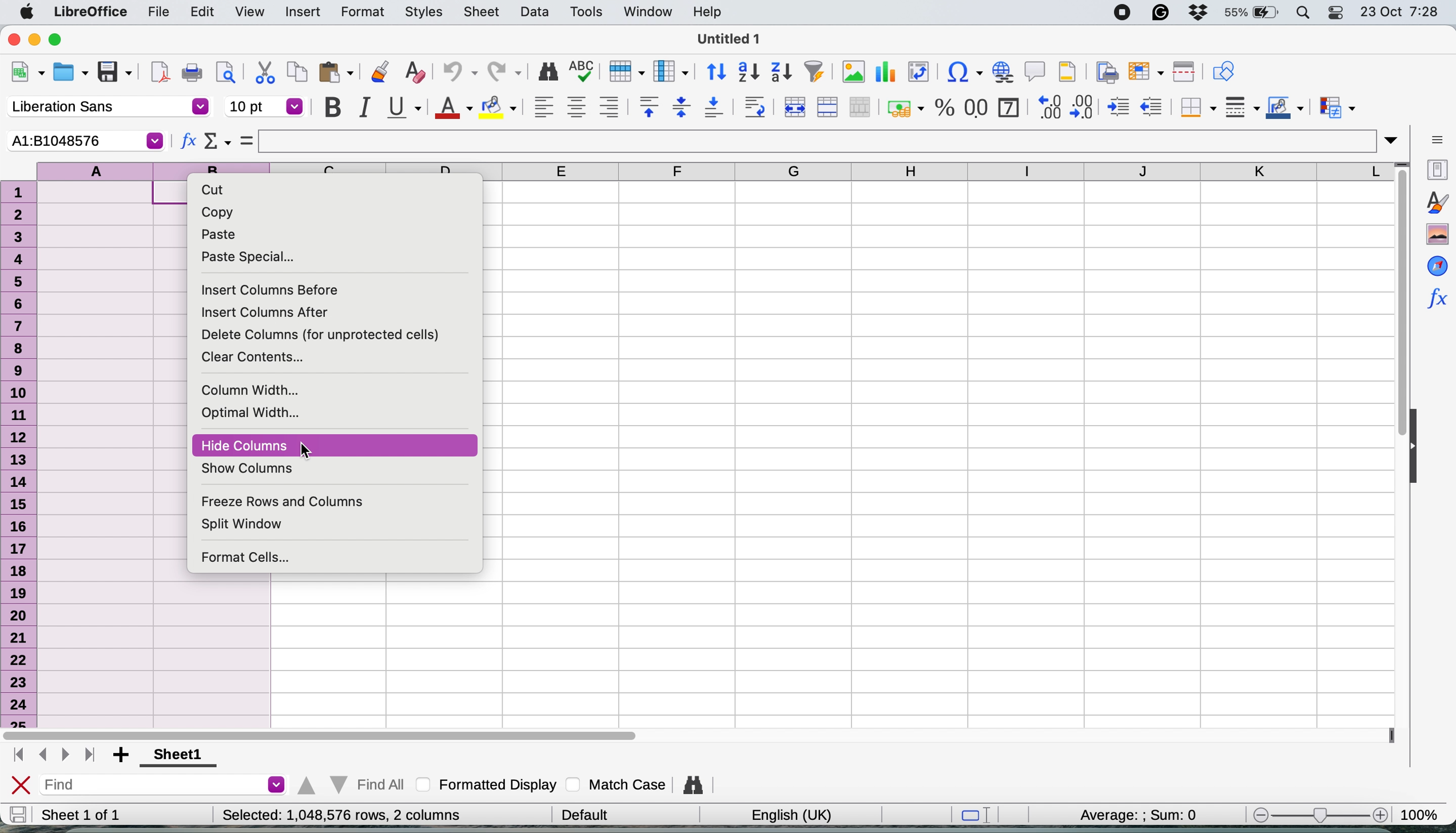 This screenshot has height=833, width=1456. Describe the element at coordinates (26, 11) in the screenshot. I see `system logo` at that location.